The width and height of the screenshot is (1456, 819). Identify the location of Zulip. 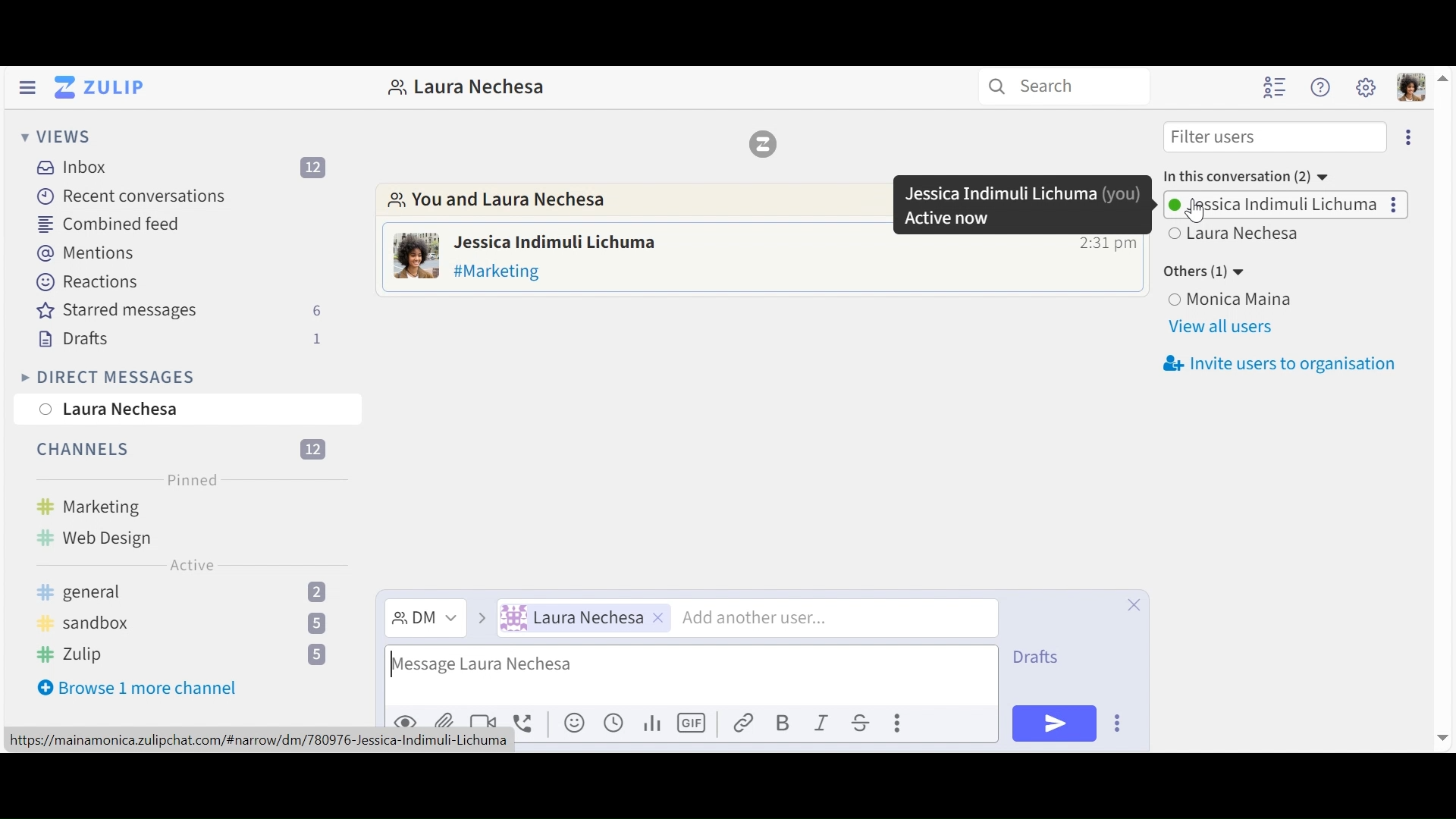
(182, 654).